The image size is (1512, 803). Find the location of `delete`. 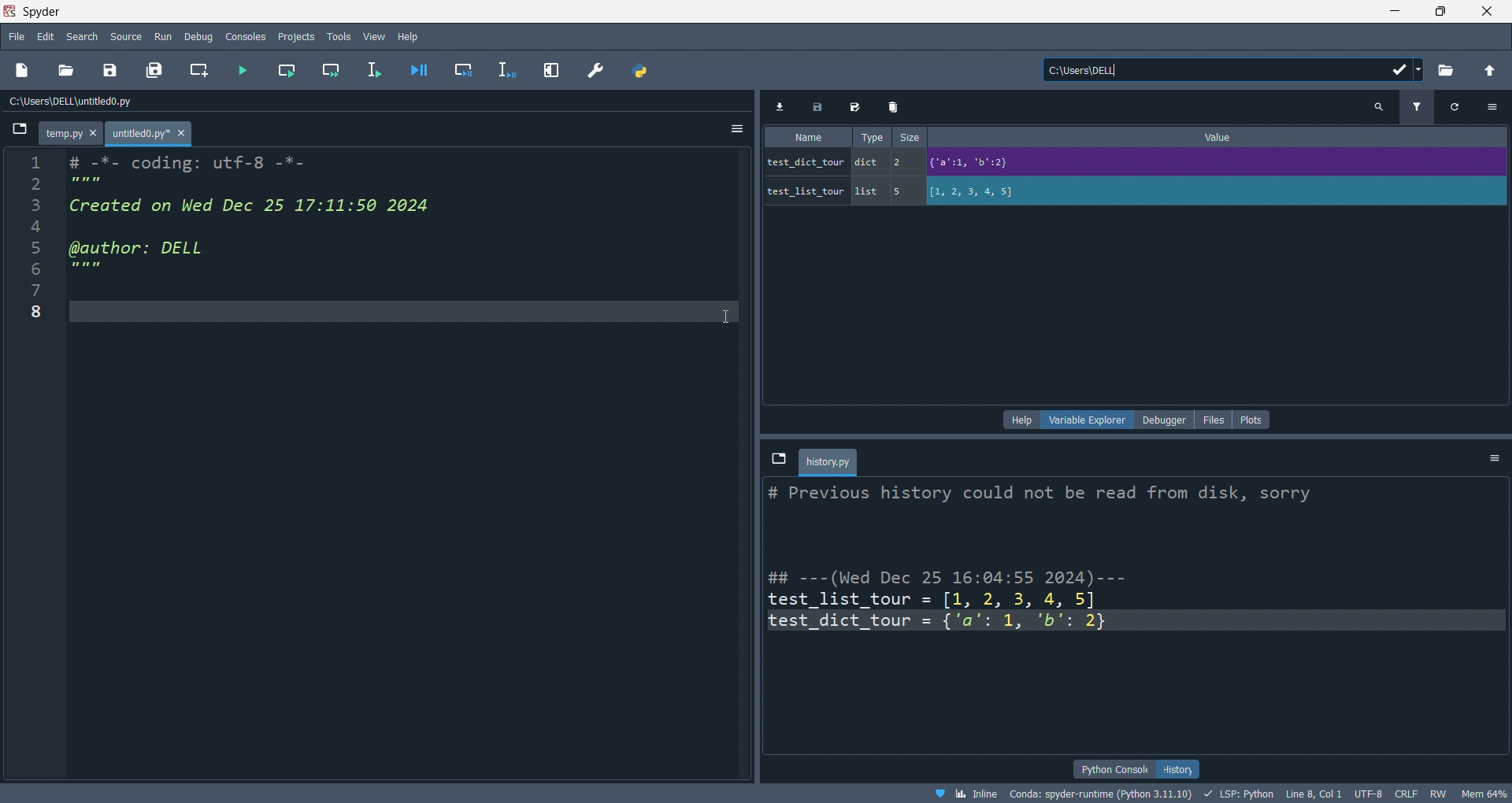

delete is located at coordinates (895, 107).